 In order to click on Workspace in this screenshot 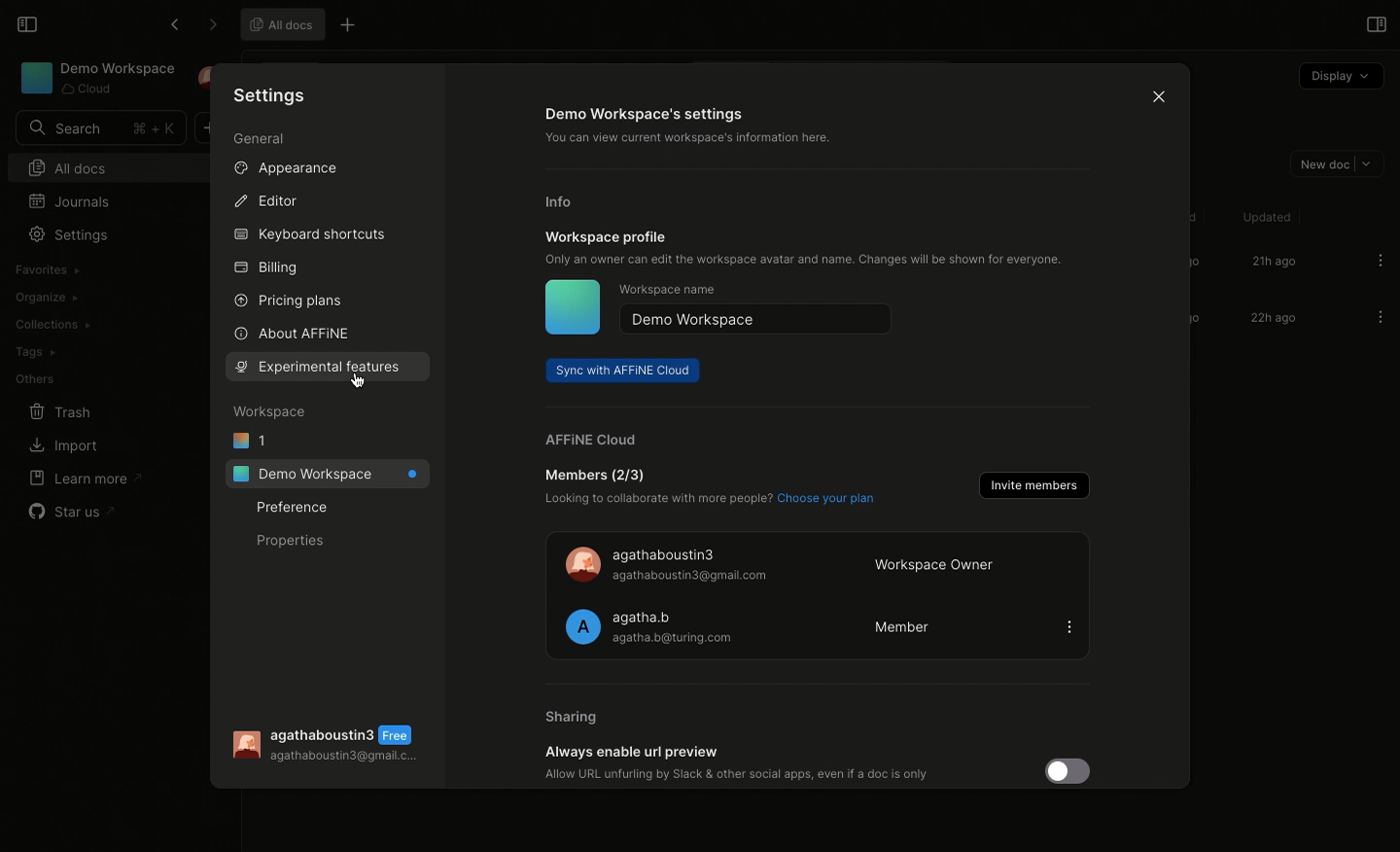, I will do `click(271, 410)`.